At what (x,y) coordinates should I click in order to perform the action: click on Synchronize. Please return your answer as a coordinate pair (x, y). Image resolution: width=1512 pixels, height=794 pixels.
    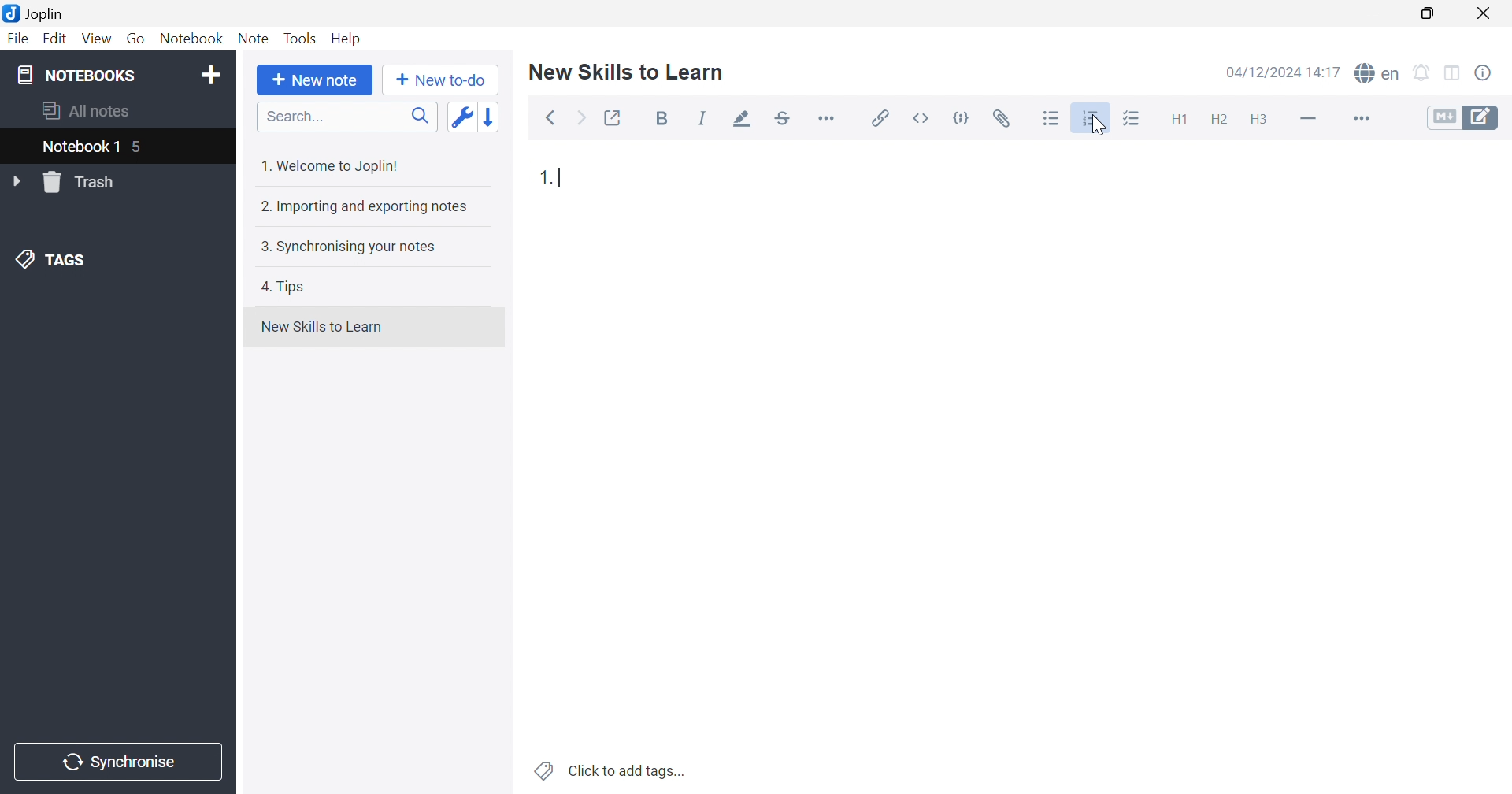
    Looking at the image, I should click on (121, 762).